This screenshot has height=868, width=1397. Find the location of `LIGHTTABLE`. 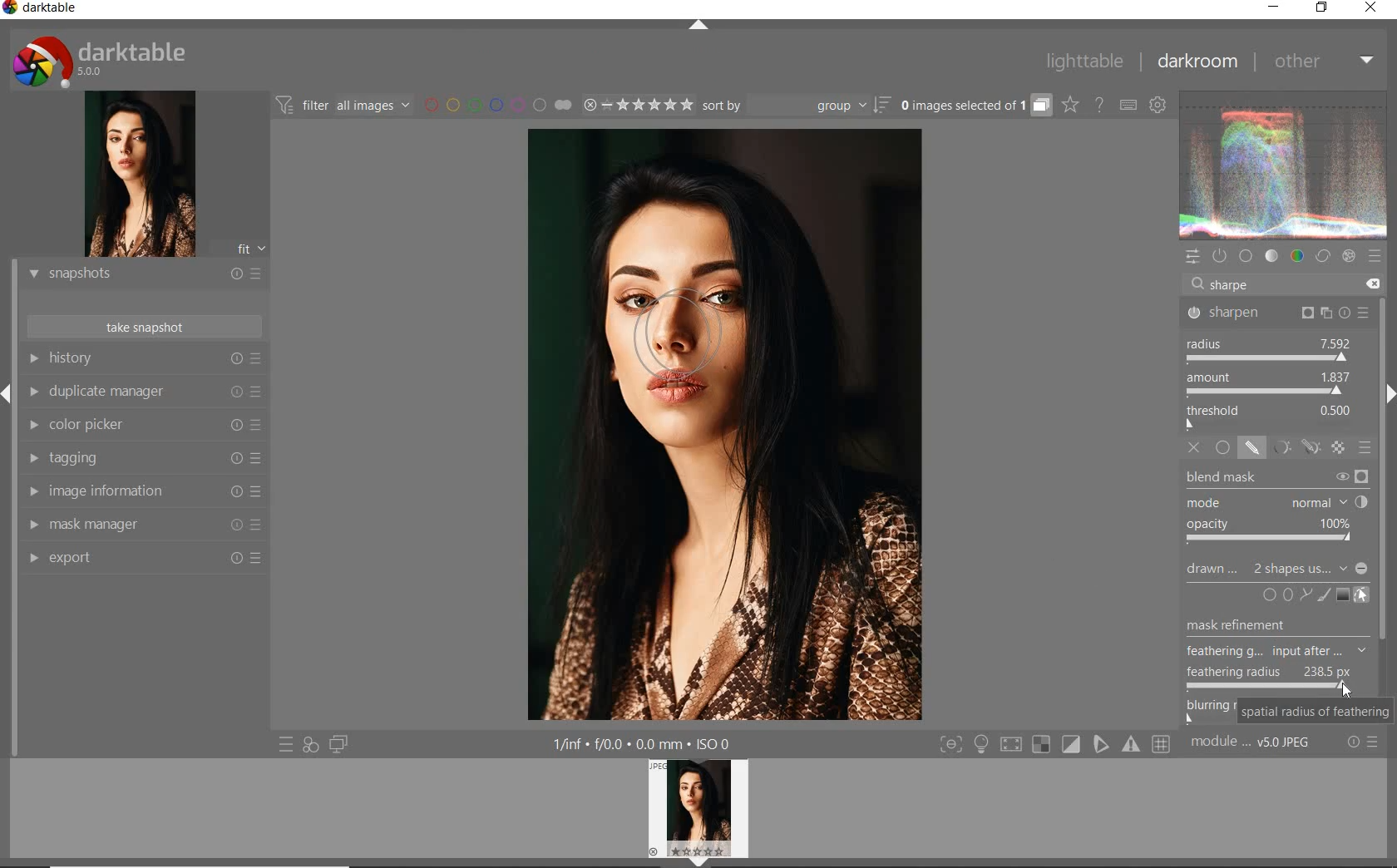

LIGHTTABLE is located at coordinates (1083, 62).